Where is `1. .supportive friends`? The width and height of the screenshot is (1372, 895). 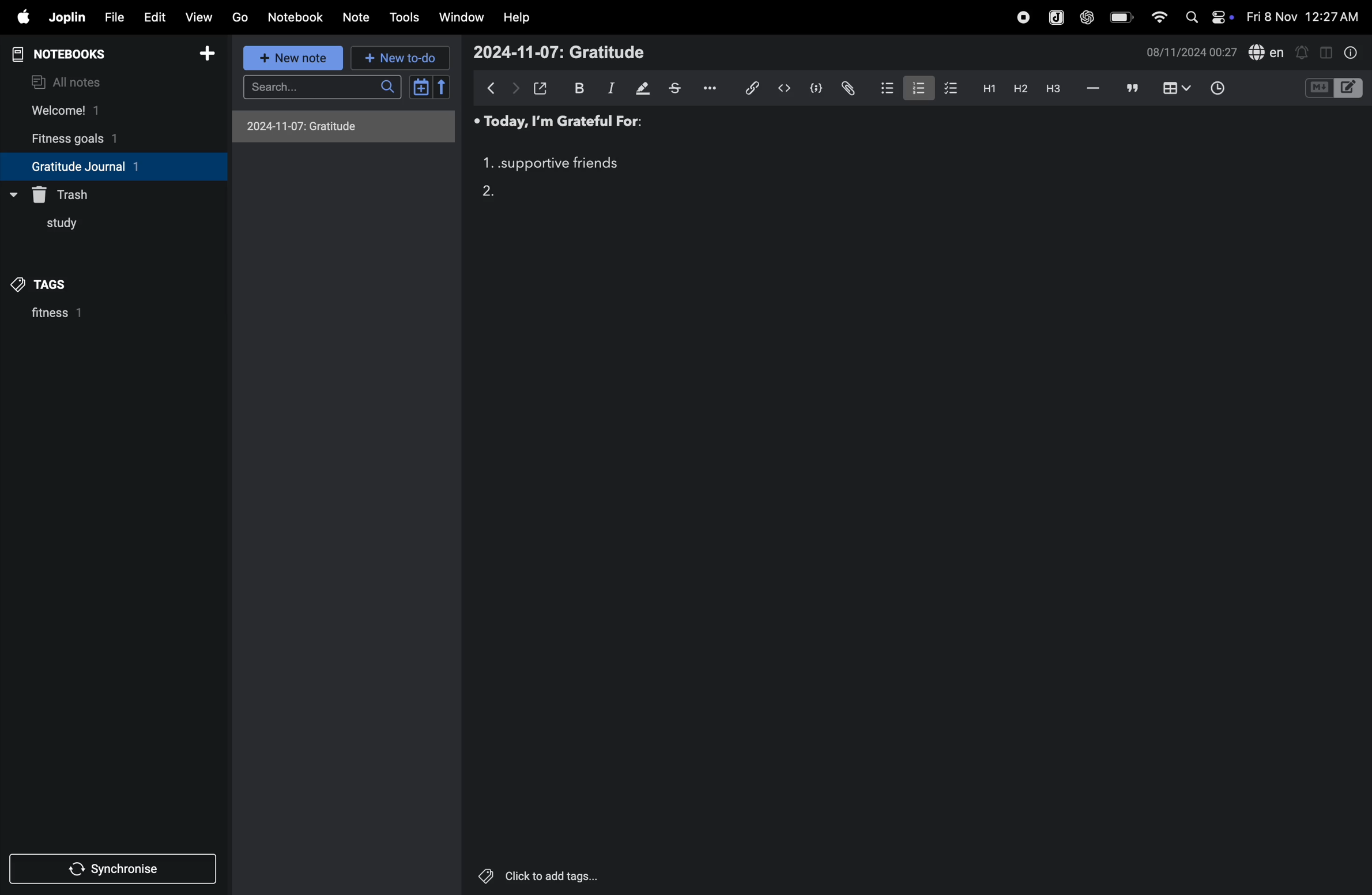
1. .supportive friends is located at coordinates (550, 164).